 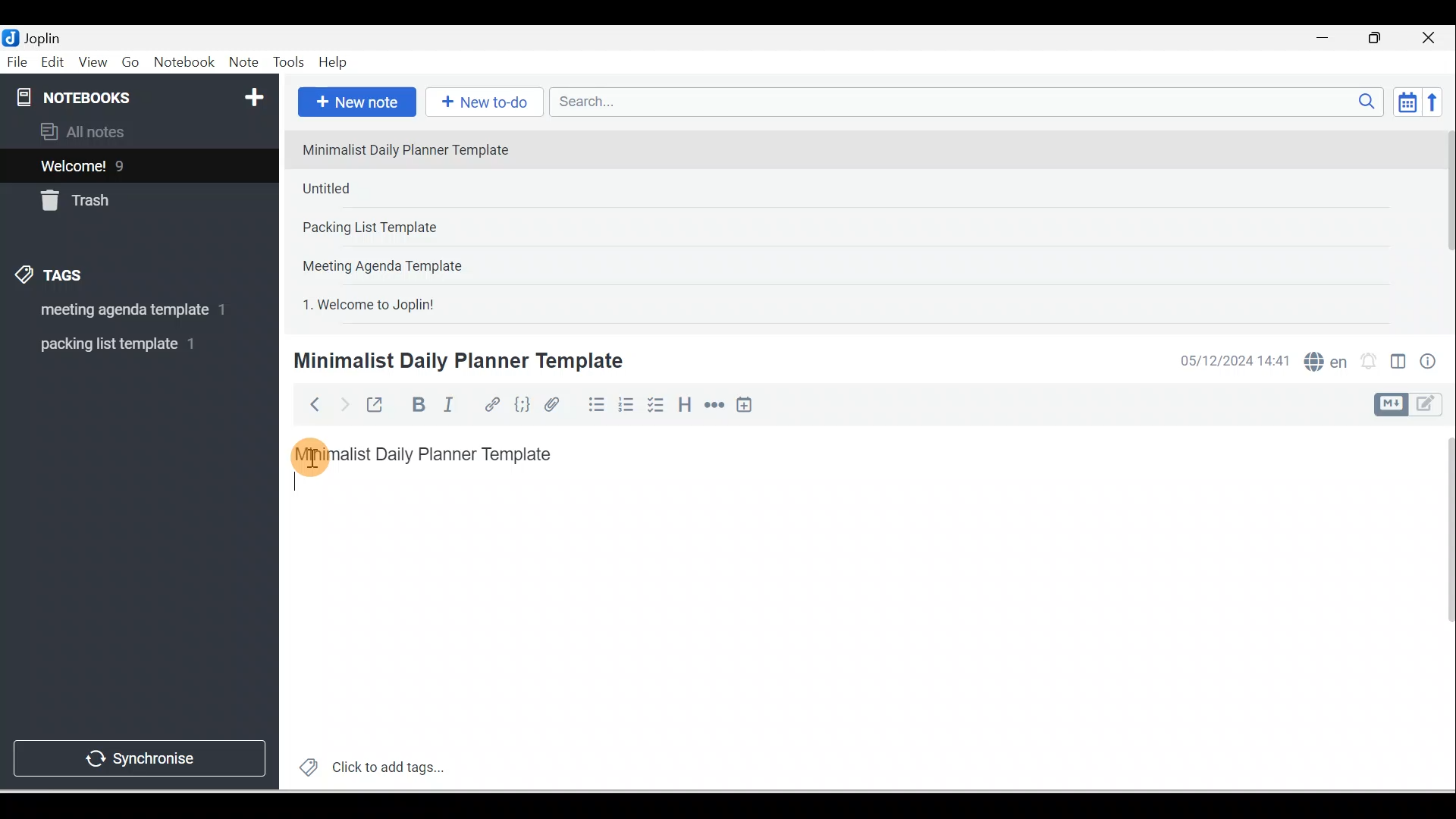 I want to click on File, so click(x=18, y=61).